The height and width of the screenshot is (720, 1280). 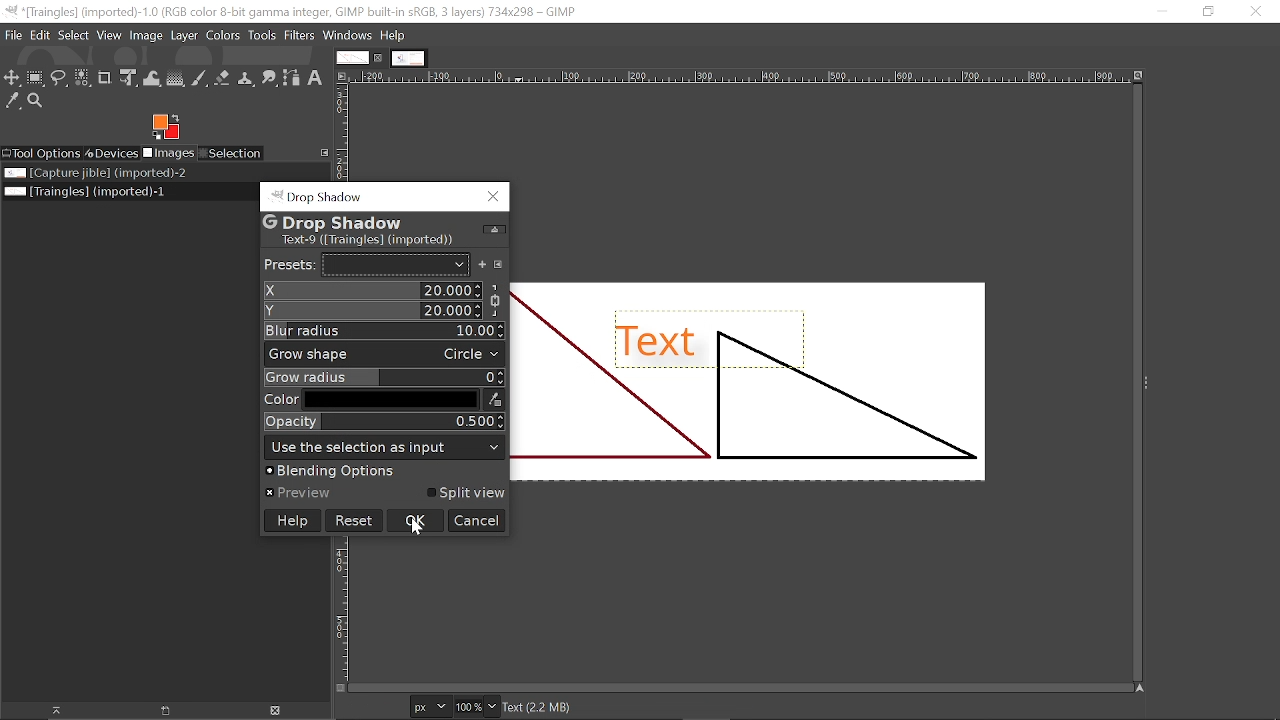 I want to click on Close current tab, so click(x=379, y=57).